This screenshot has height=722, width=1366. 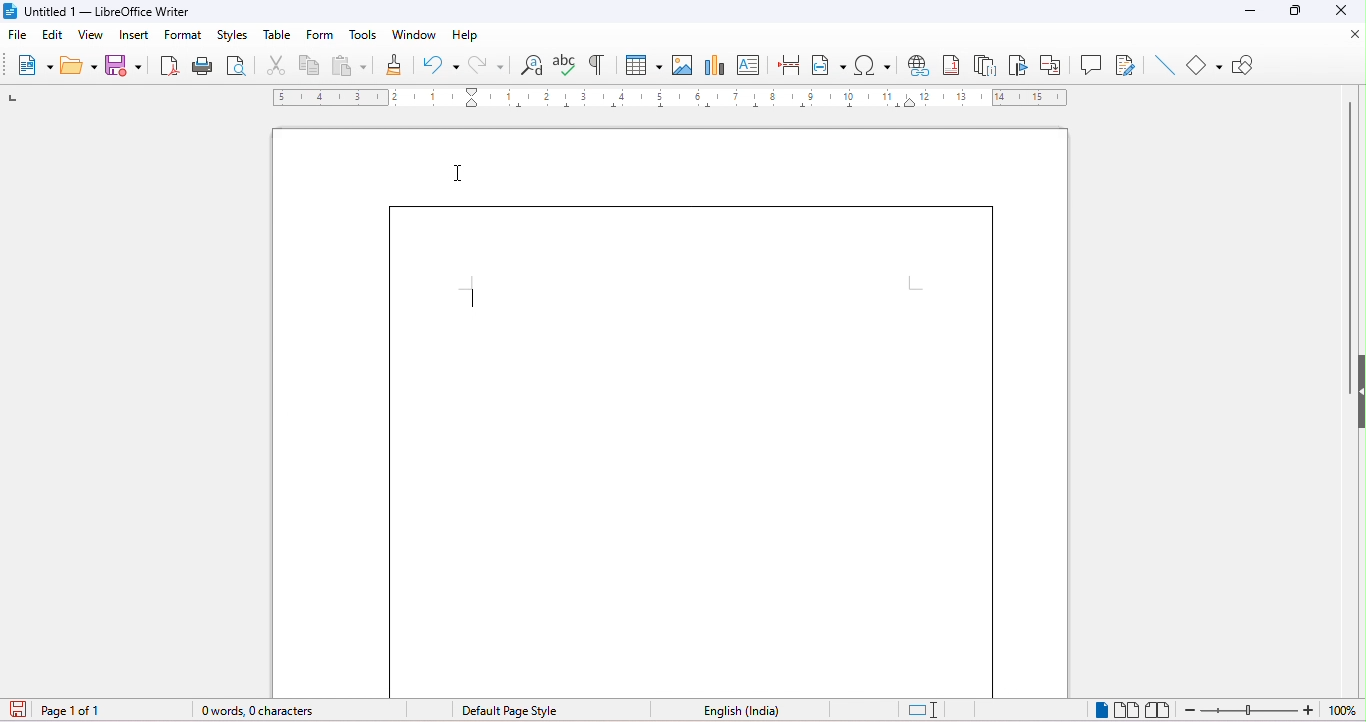 What do you see at coordinates (136, 37) in the screenshot?
I see `insert` at bounding box center [136, 37].